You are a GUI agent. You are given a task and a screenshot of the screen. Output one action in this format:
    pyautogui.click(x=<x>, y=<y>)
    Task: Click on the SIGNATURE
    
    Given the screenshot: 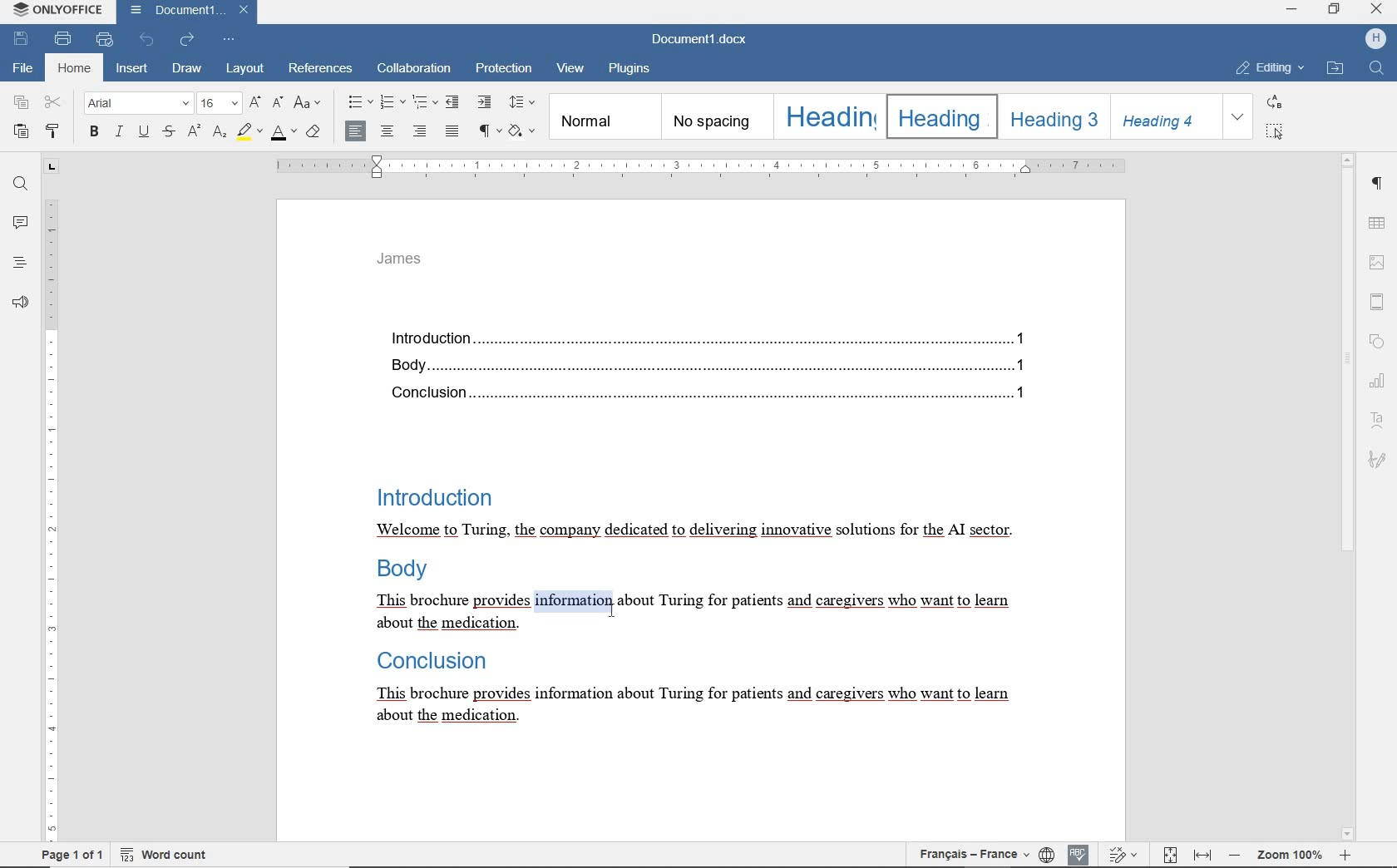 What is the action you would take?
    pyautogui.click(x=1379, y=460)
    